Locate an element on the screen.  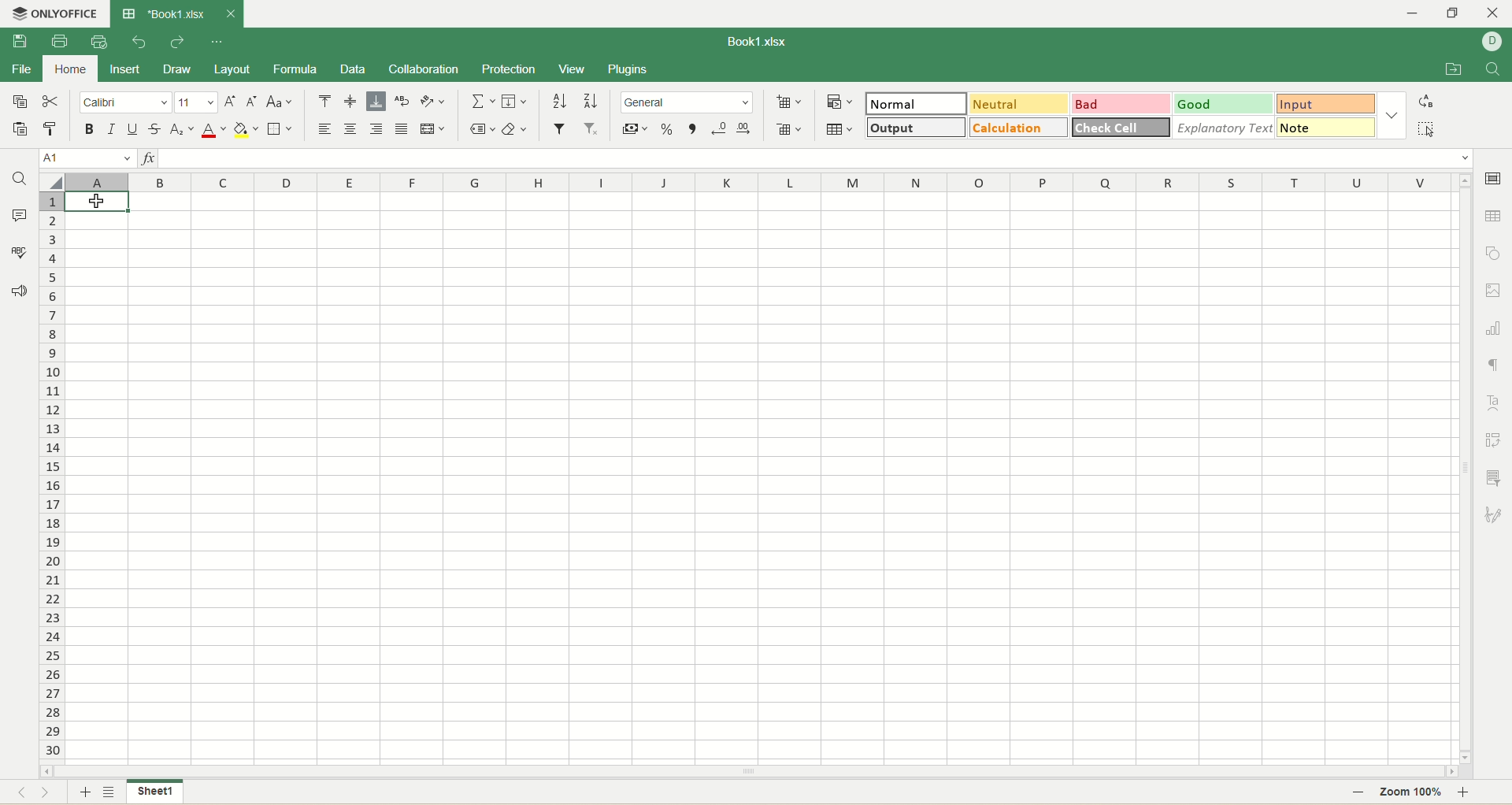
zoom in is located at coordinates (1471, 792).